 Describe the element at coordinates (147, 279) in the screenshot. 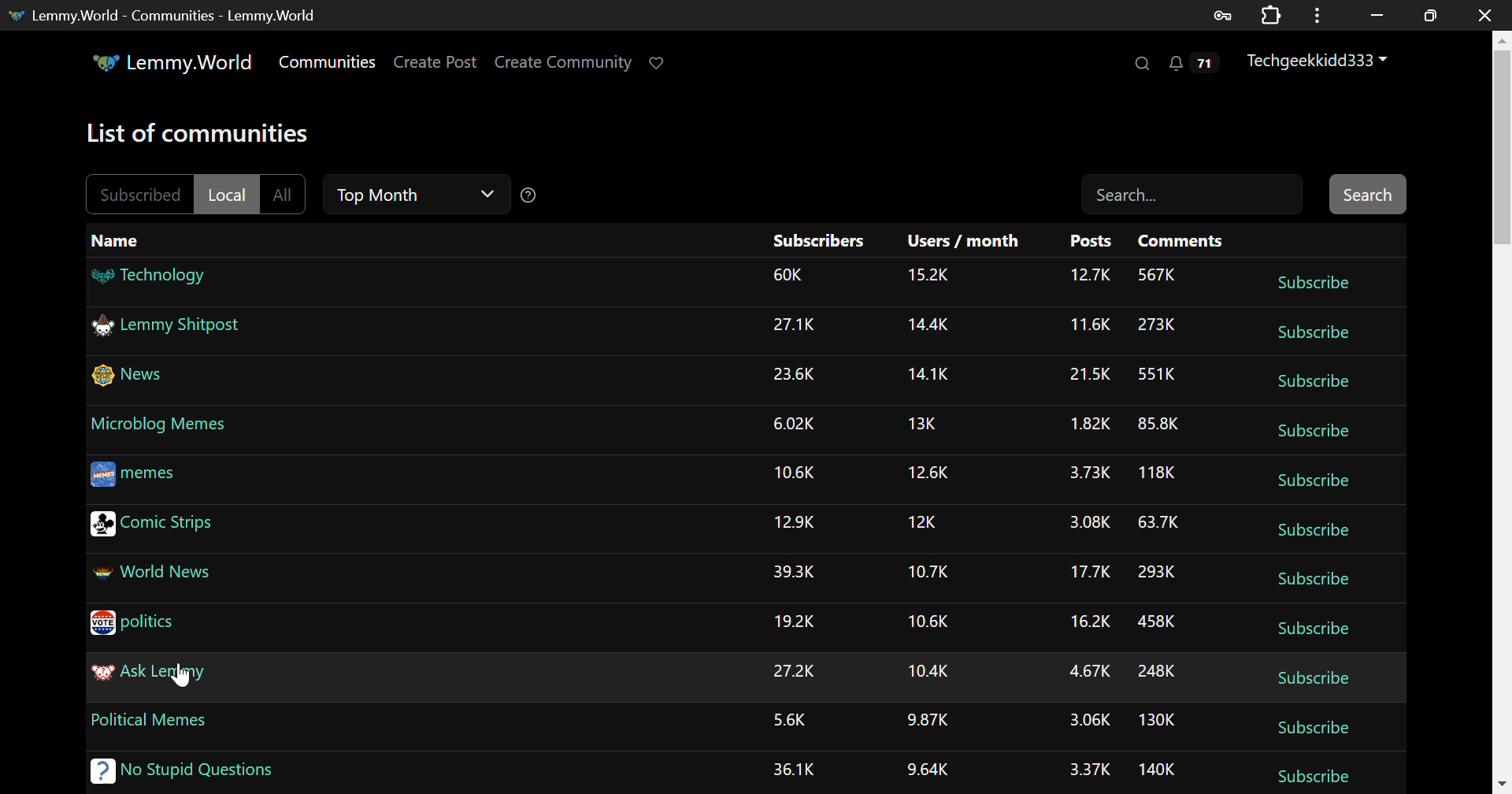

I see `Technology Community` at that location.